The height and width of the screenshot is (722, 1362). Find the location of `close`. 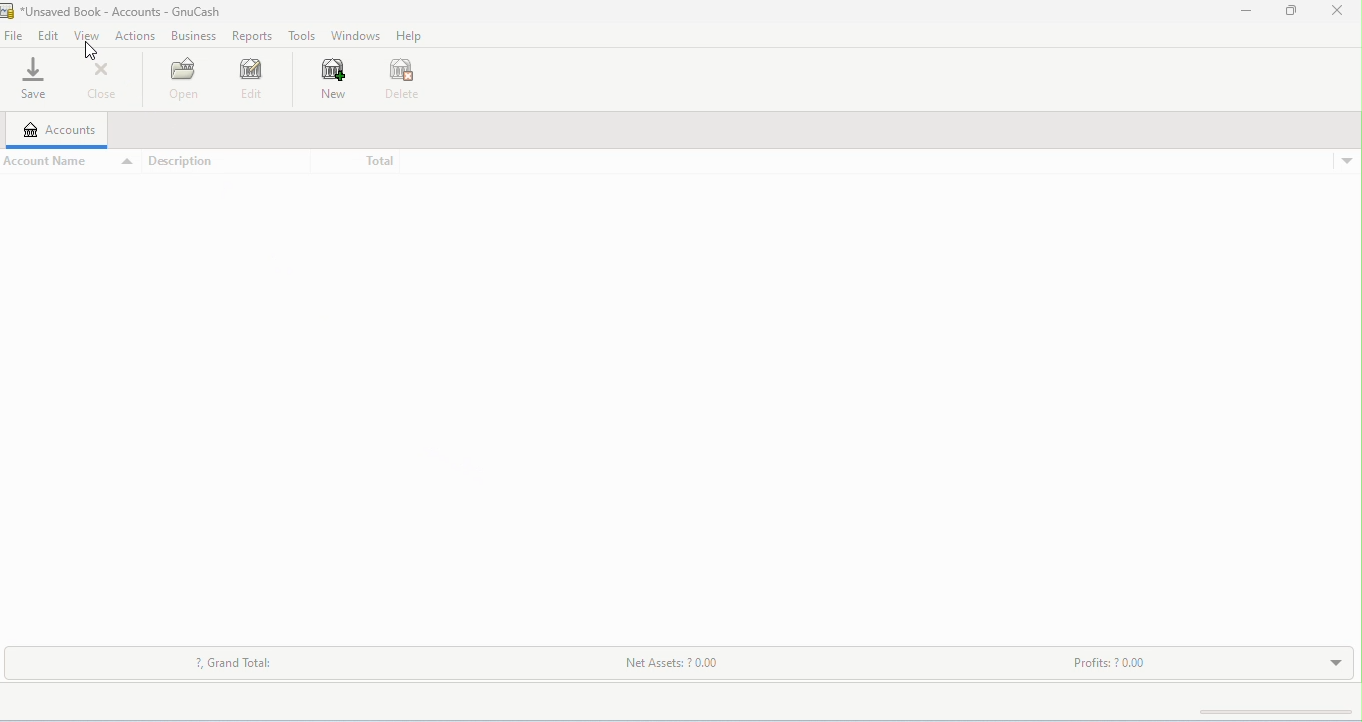

close is located at coordinates (101, 79).